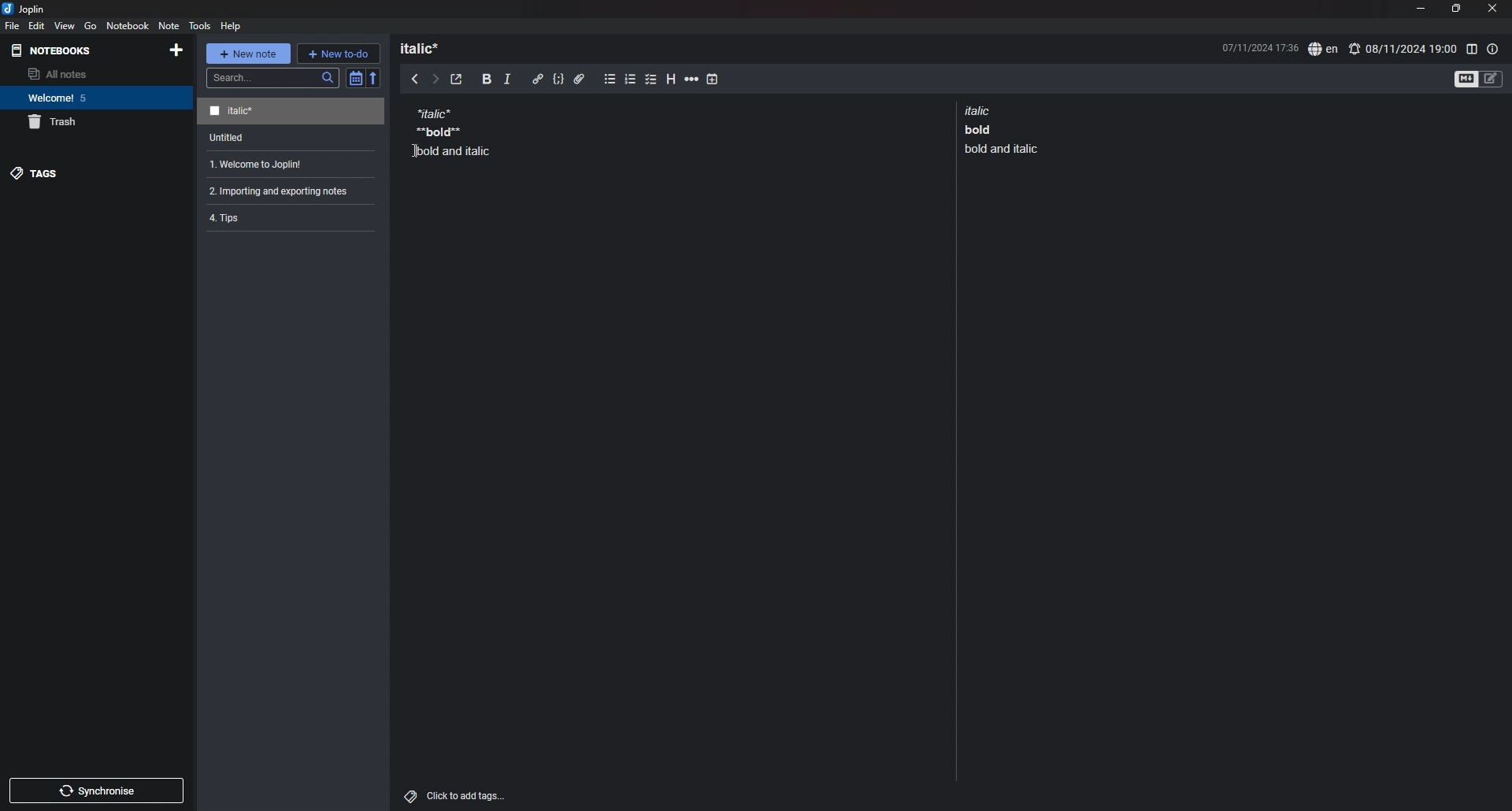 The width and height of the screenshot is (1512, 811). Describe the element at coordinates (1420, 8) in the screenshot. I see `minimize` at that location.